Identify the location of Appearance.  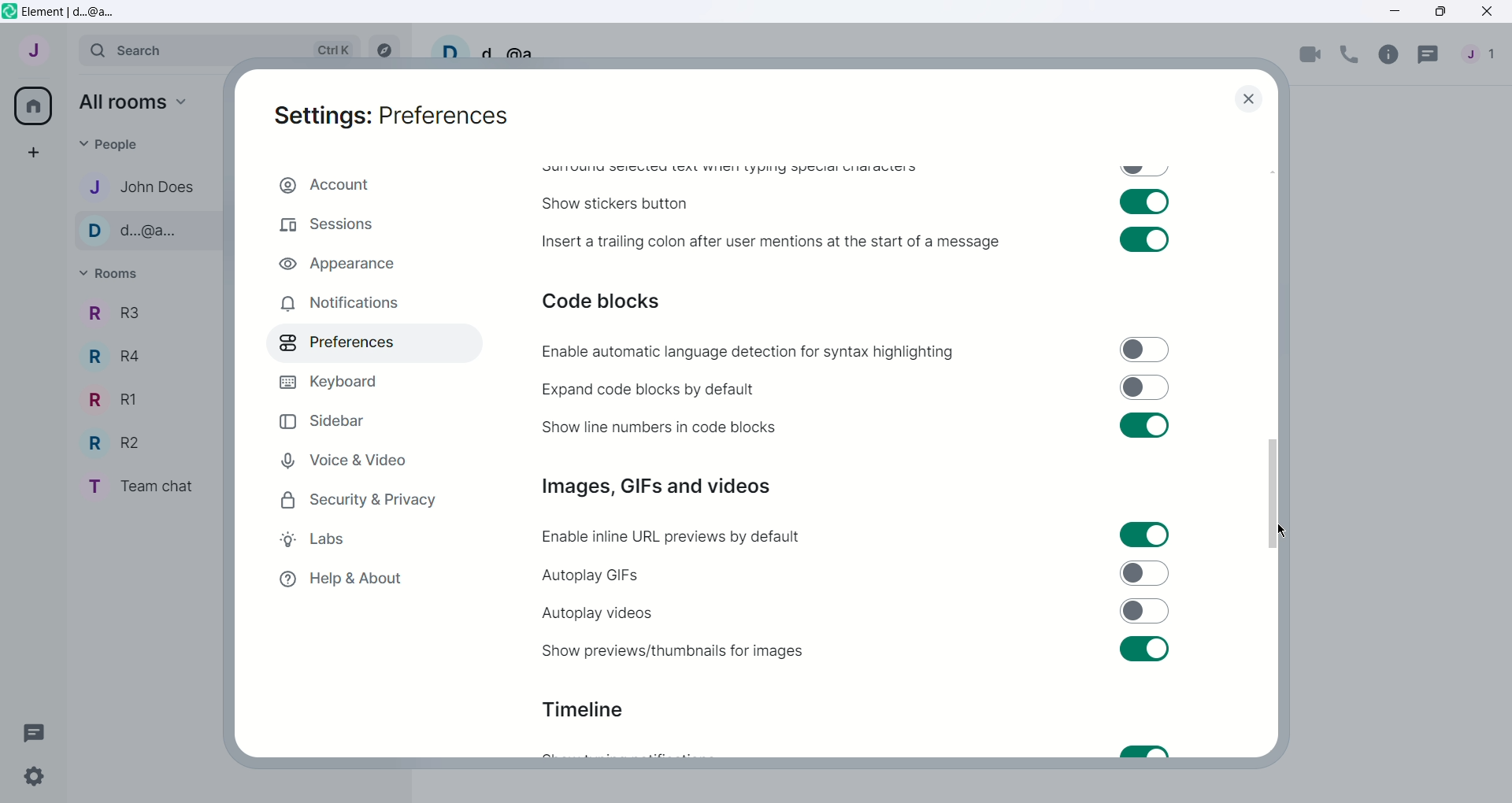
(370, 261).